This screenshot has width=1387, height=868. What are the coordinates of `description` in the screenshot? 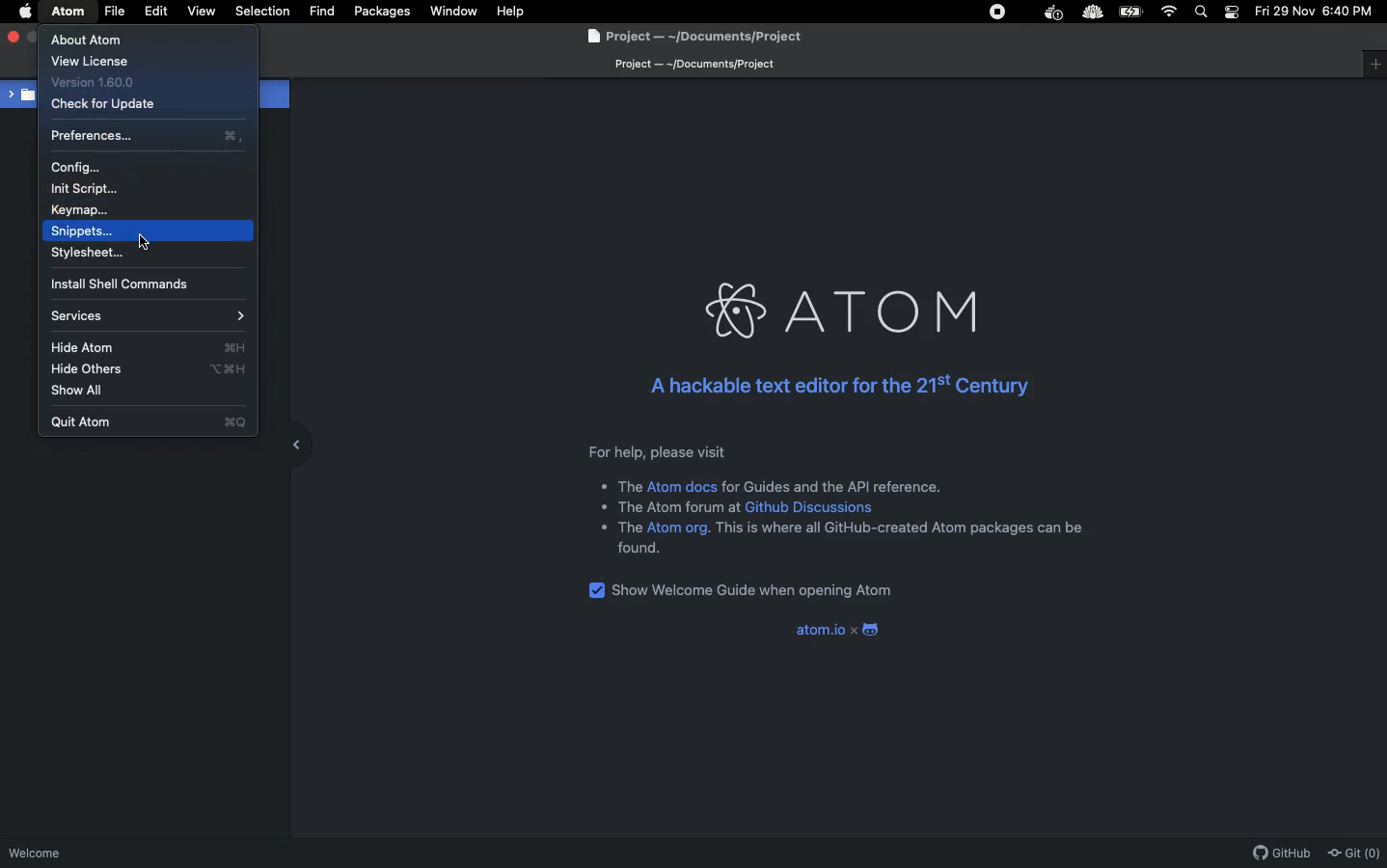 It's located at (629, 486).